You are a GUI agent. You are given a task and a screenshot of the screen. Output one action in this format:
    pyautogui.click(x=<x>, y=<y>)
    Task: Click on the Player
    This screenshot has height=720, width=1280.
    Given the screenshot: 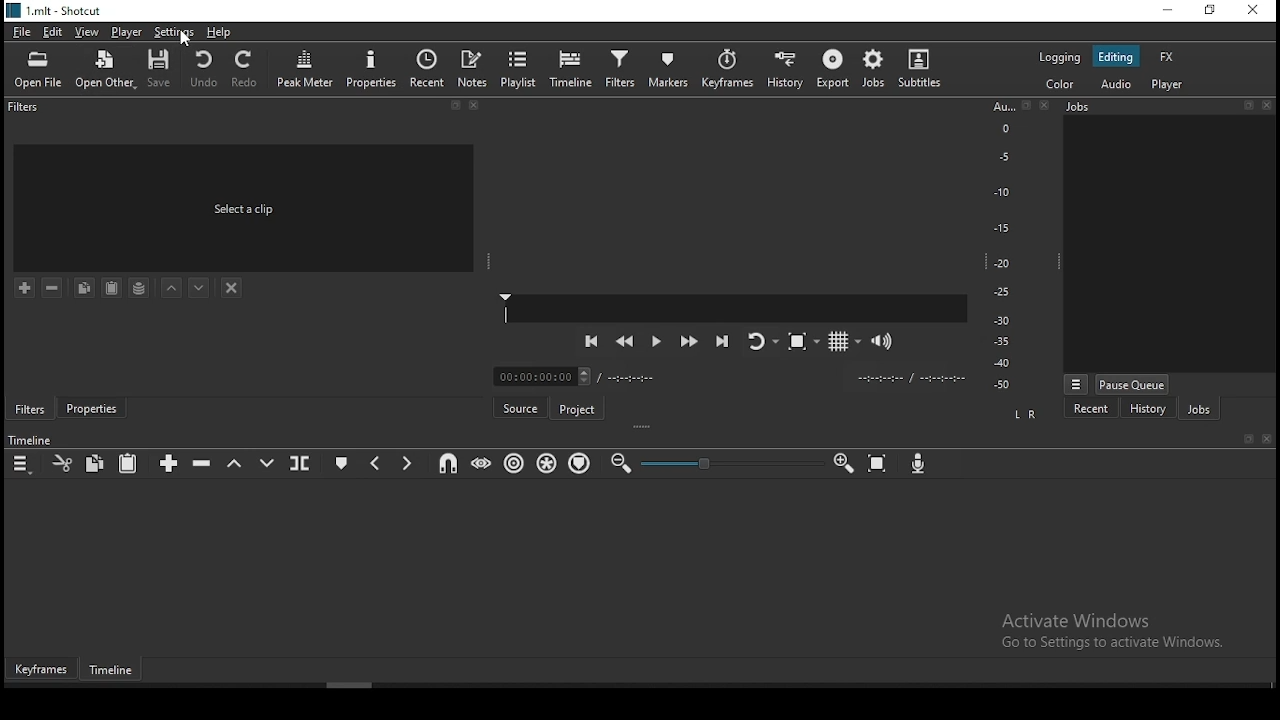 What is the action you would take?
    pyautogui.click(x=736, y=308)
    